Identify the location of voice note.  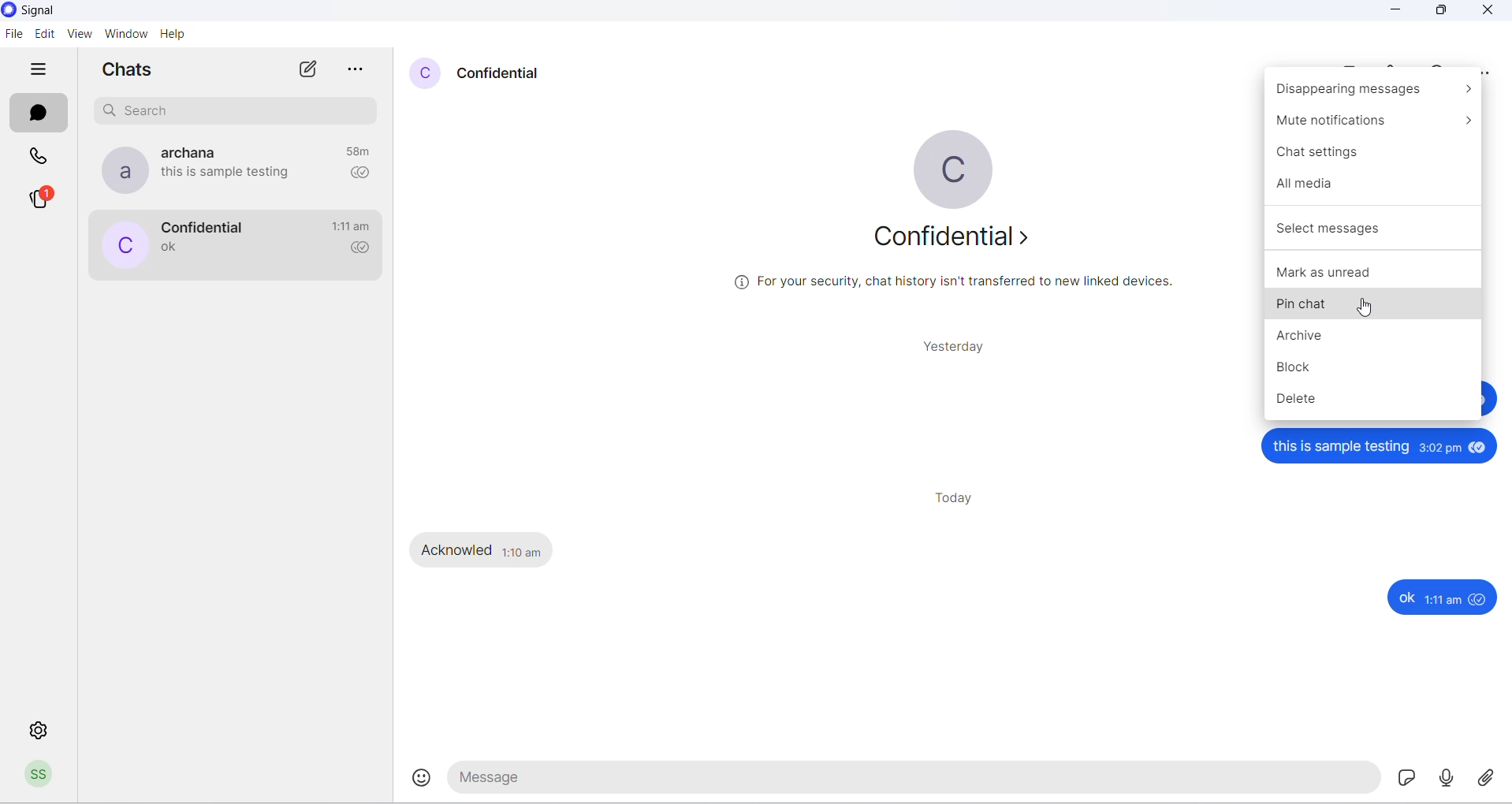
(1448, 780).